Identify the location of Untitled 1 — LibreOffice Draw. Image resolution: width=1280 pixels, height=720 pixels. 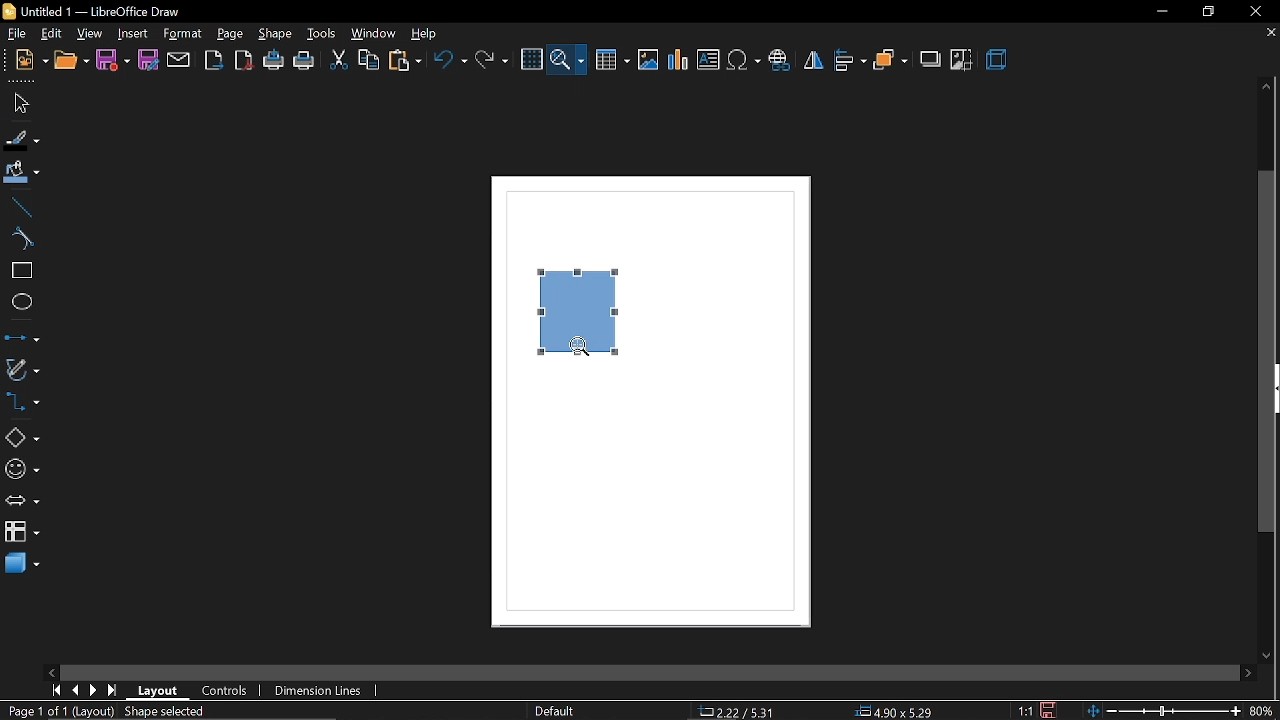
(106, 12).